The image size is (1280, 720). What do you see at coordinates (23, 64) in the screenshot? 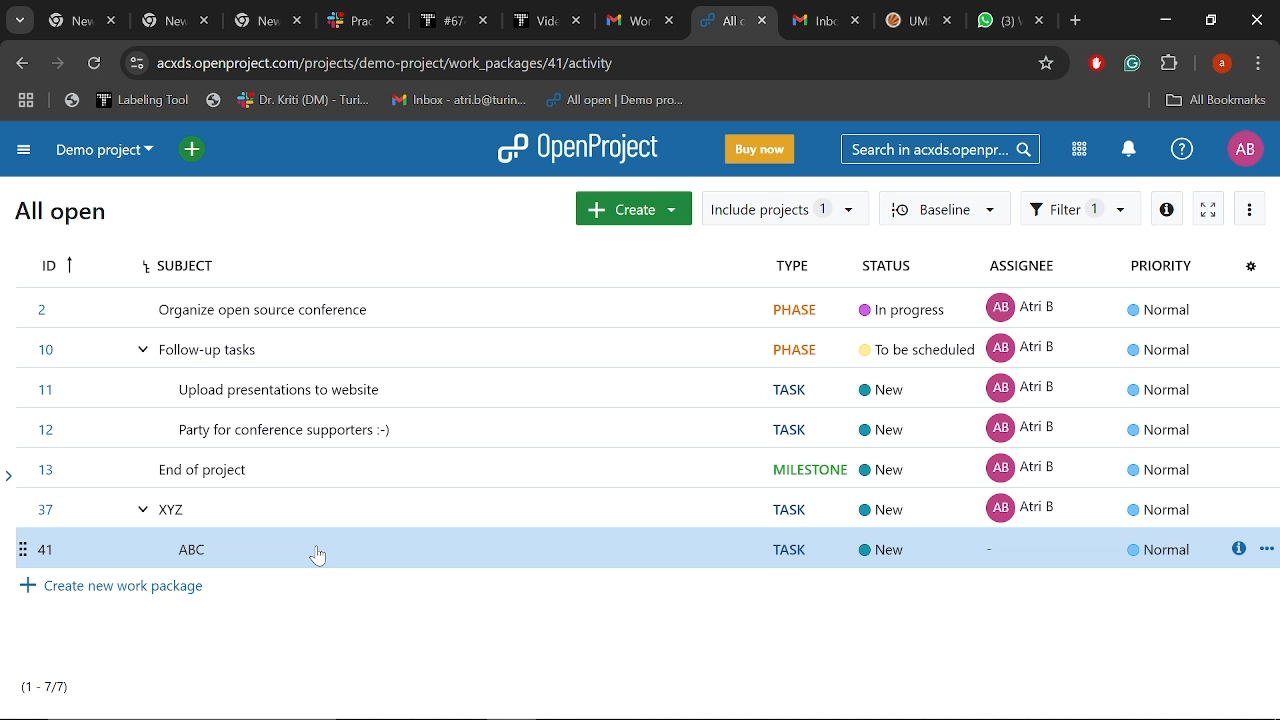
I see `Previous page` at bounding box center [23, 64].